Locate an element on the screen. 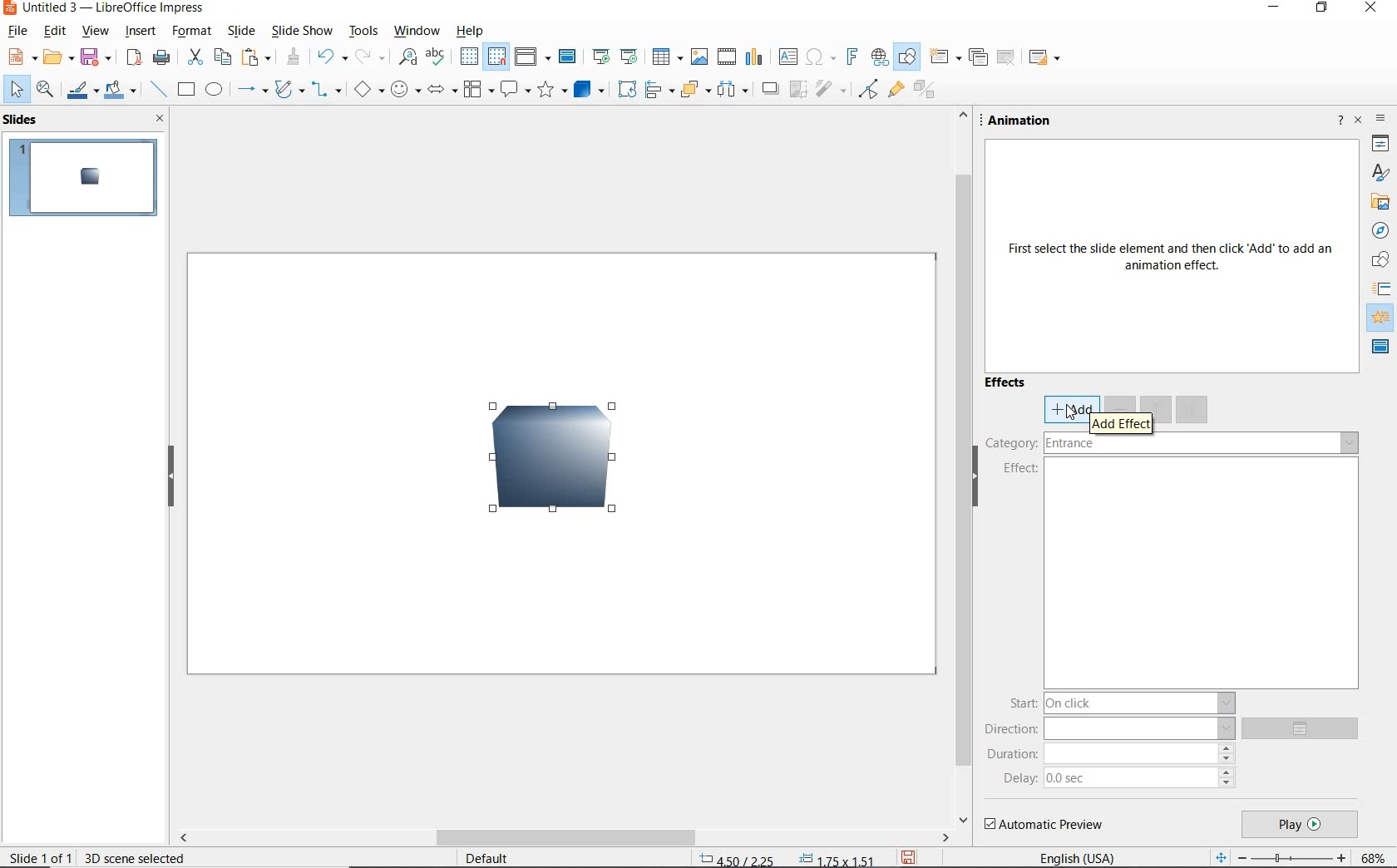 The image size is (1397, 868). SLIDE TRANSITION is located at coordinates (1382, 289).